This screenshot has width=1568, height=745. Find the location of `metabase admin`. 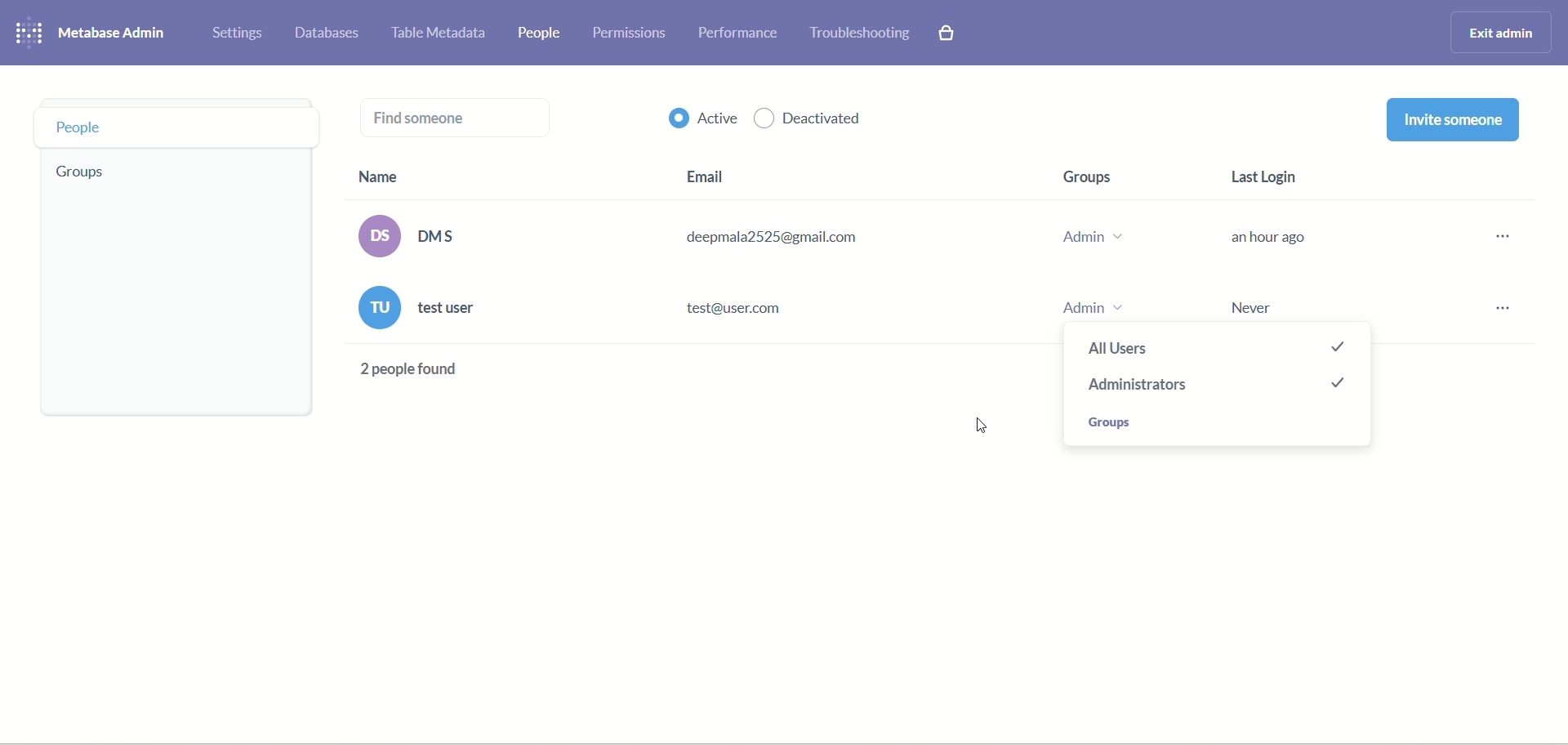

metabase admin is located at coordinates (112, 32).